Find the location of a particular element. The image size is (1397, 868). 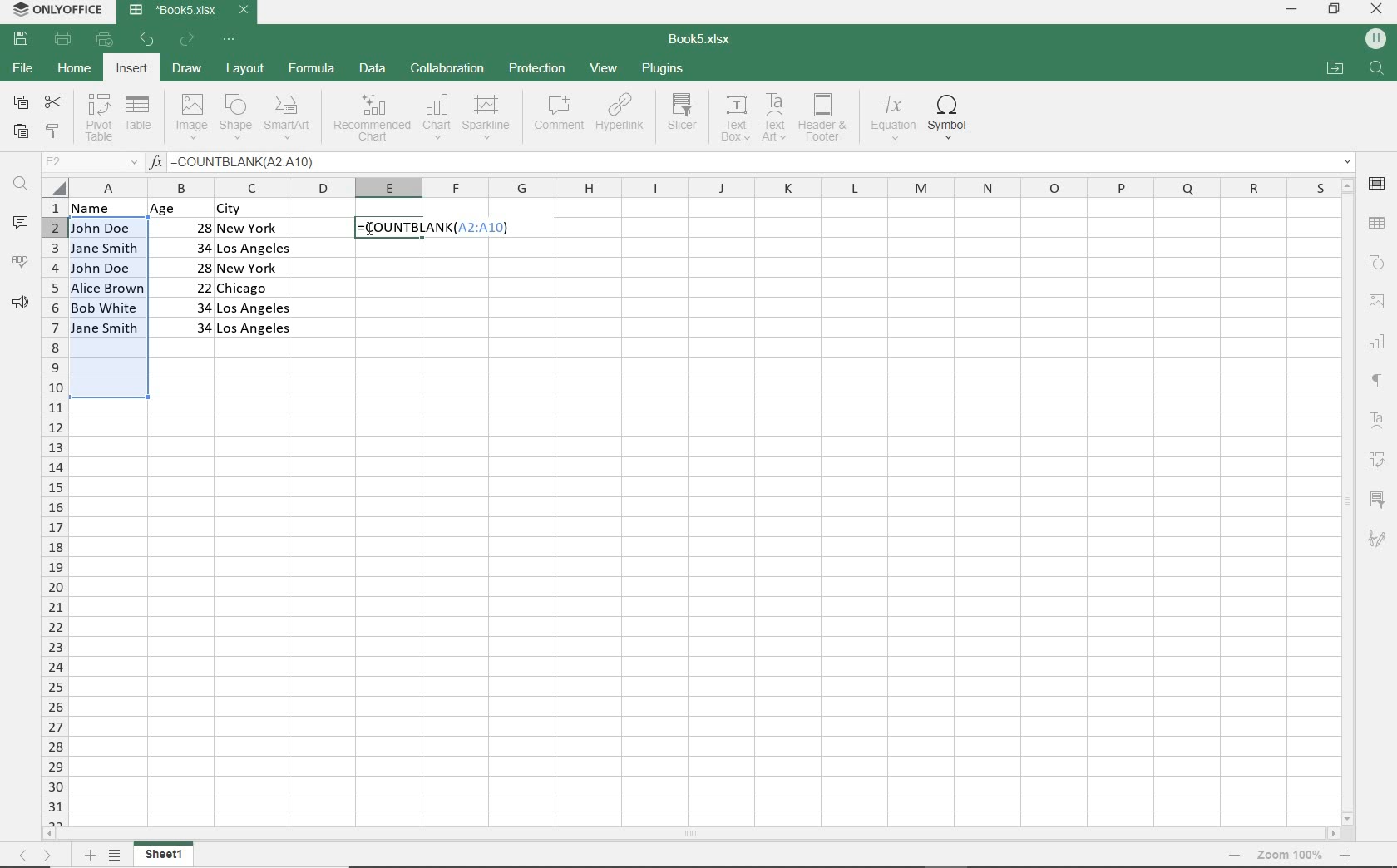

CURSOR is located at coordinates (371, 229).